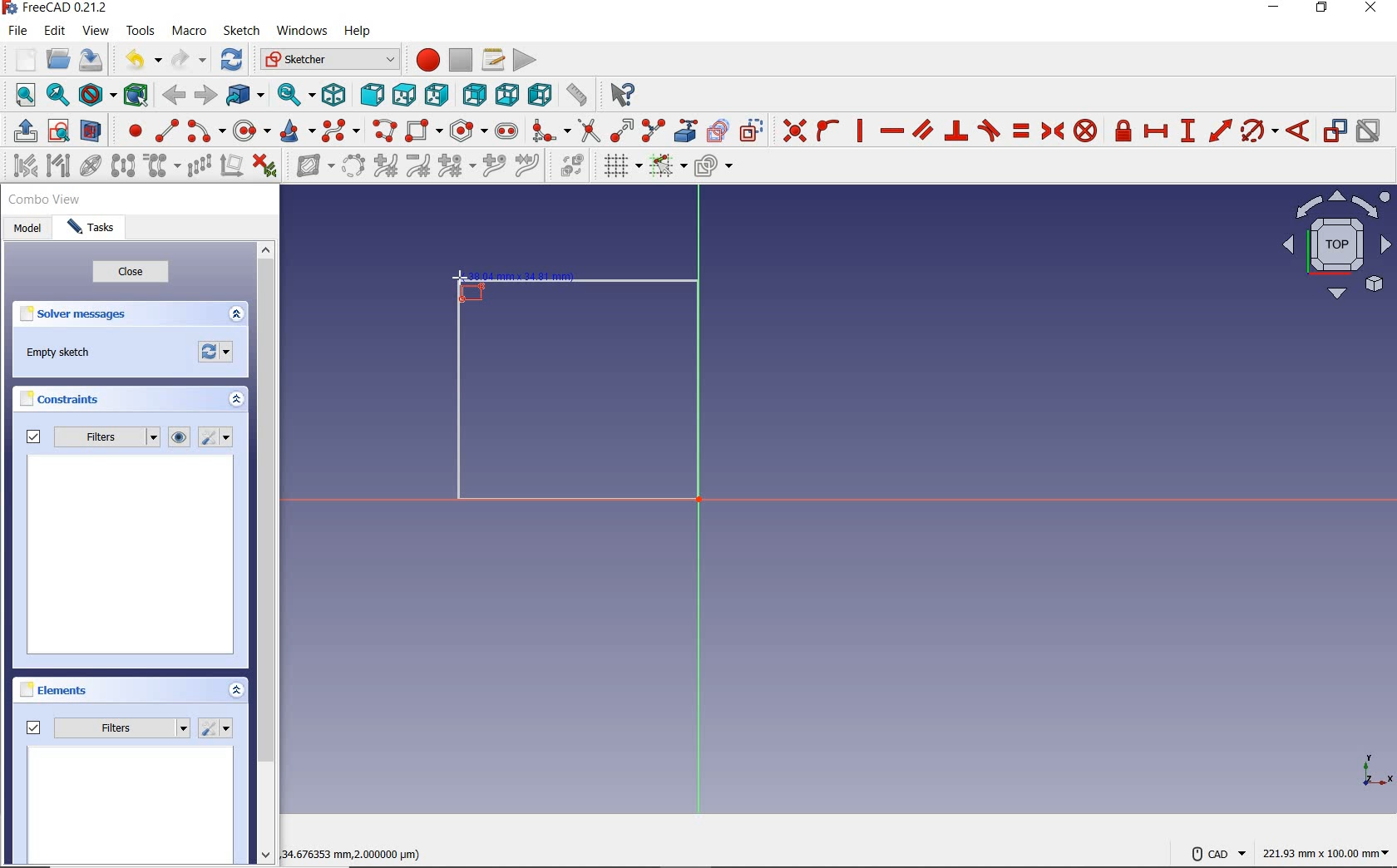 Image resolution: width=1397 pixels, height=868 pixels. Describe the element at coordinates (717, 169) in the screenshot. I see `configure rendering order` at that location.